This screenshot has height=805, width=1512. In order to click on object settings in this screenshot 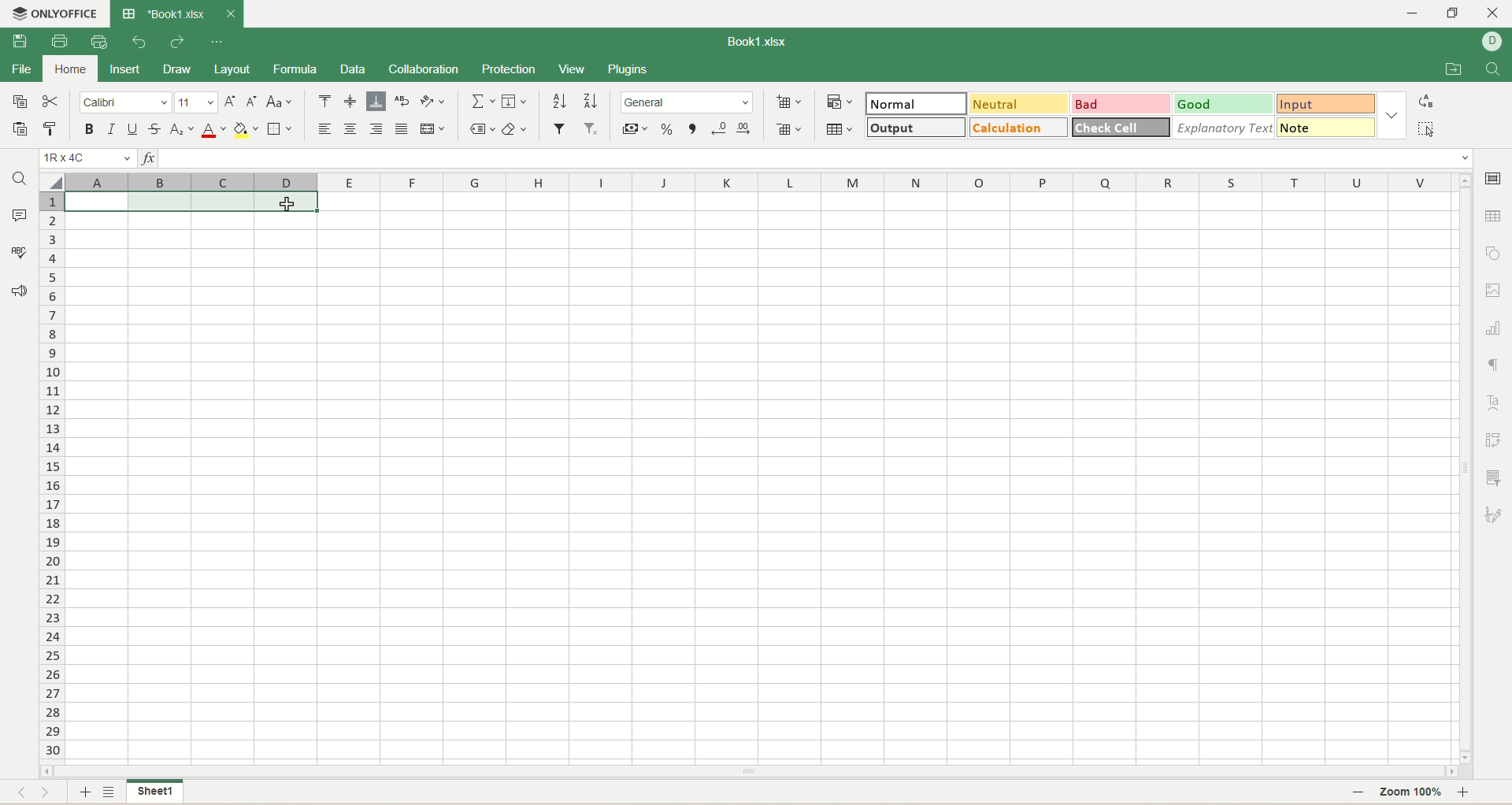, I will do `click(1494, 252)`.